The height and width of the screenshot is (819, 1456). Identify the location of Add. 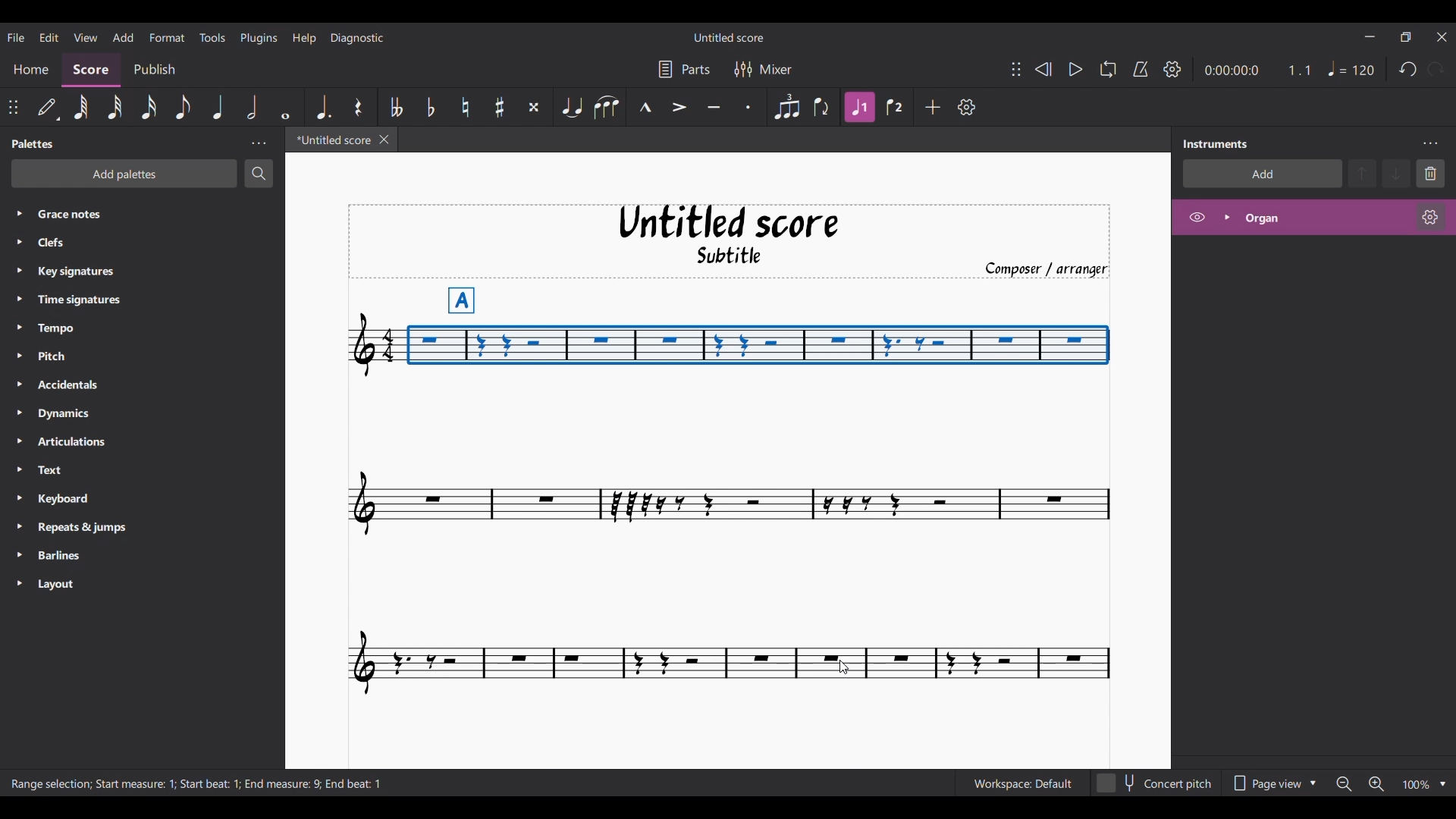
(933, 107).